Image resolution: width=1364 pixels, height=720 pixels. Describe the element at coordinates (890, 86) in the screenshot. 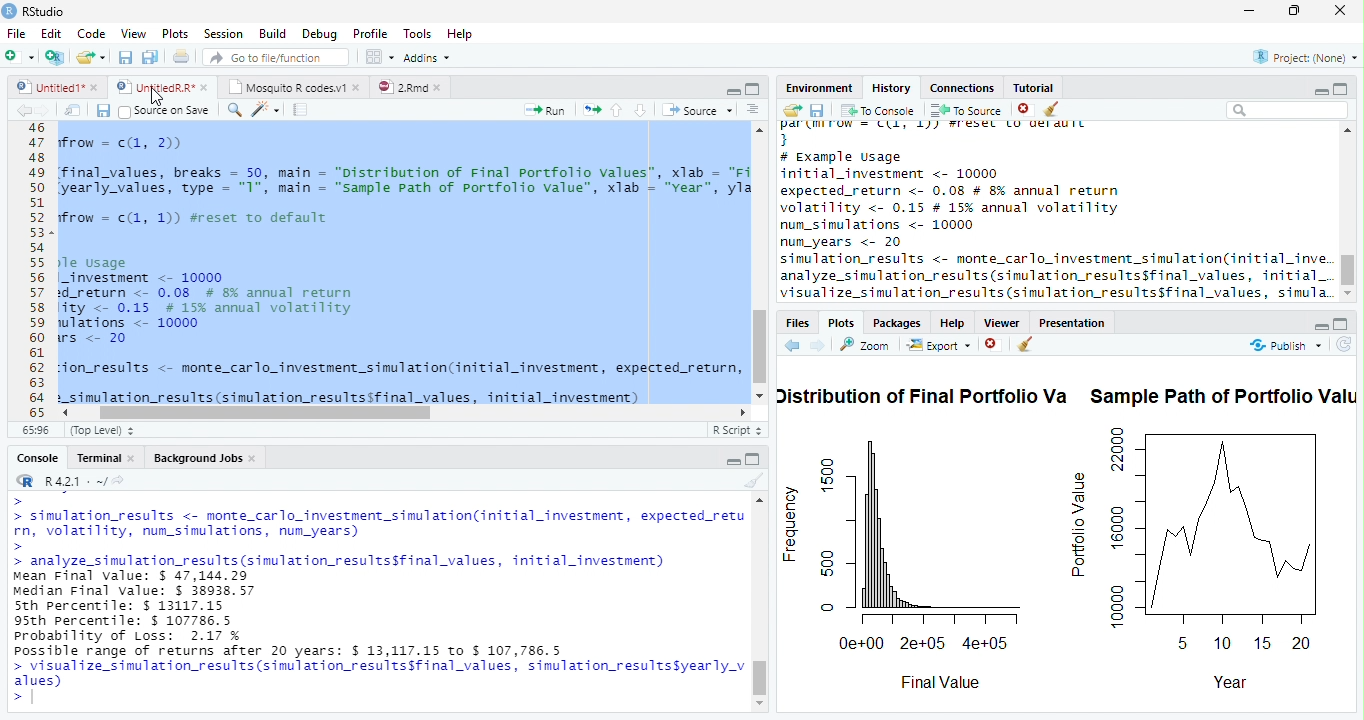

I see `History` at that location.